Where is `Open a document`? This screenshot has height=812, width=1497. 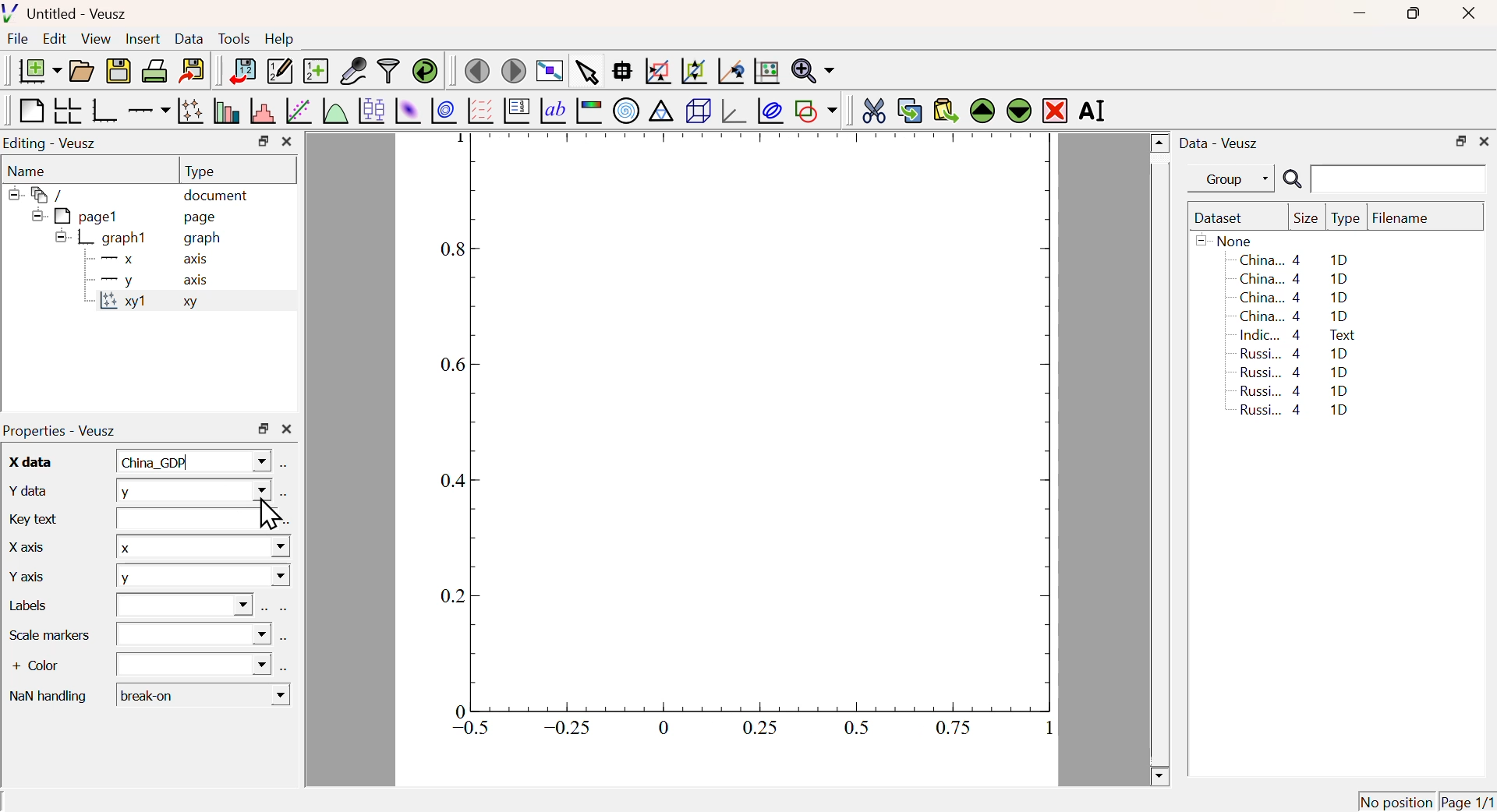
Open a document is located at coordinates (80, 71).